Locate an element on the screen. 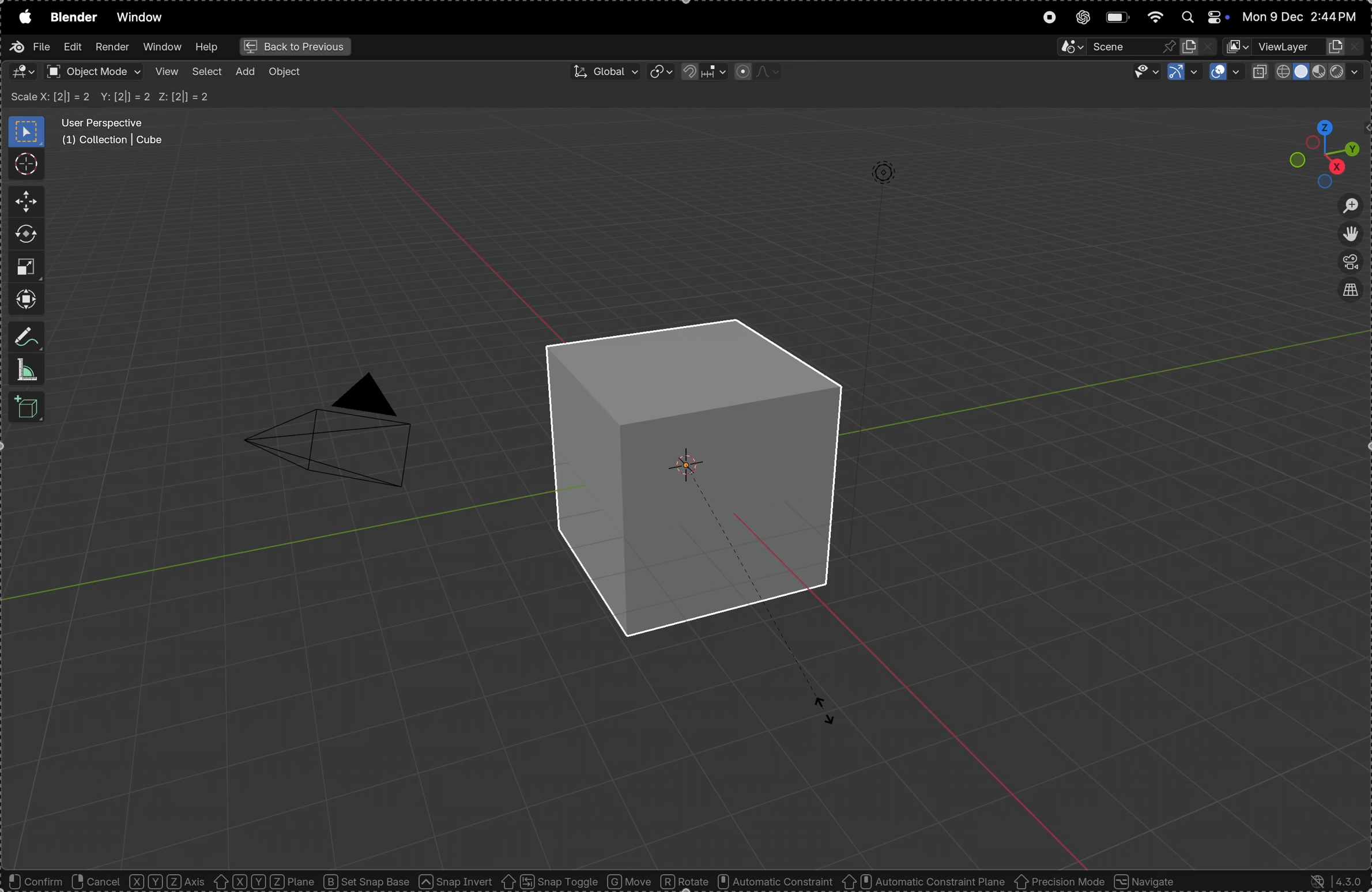 The width and height of the screenshot is (1372, 892). view layer is located at coordinates (1297, 48).